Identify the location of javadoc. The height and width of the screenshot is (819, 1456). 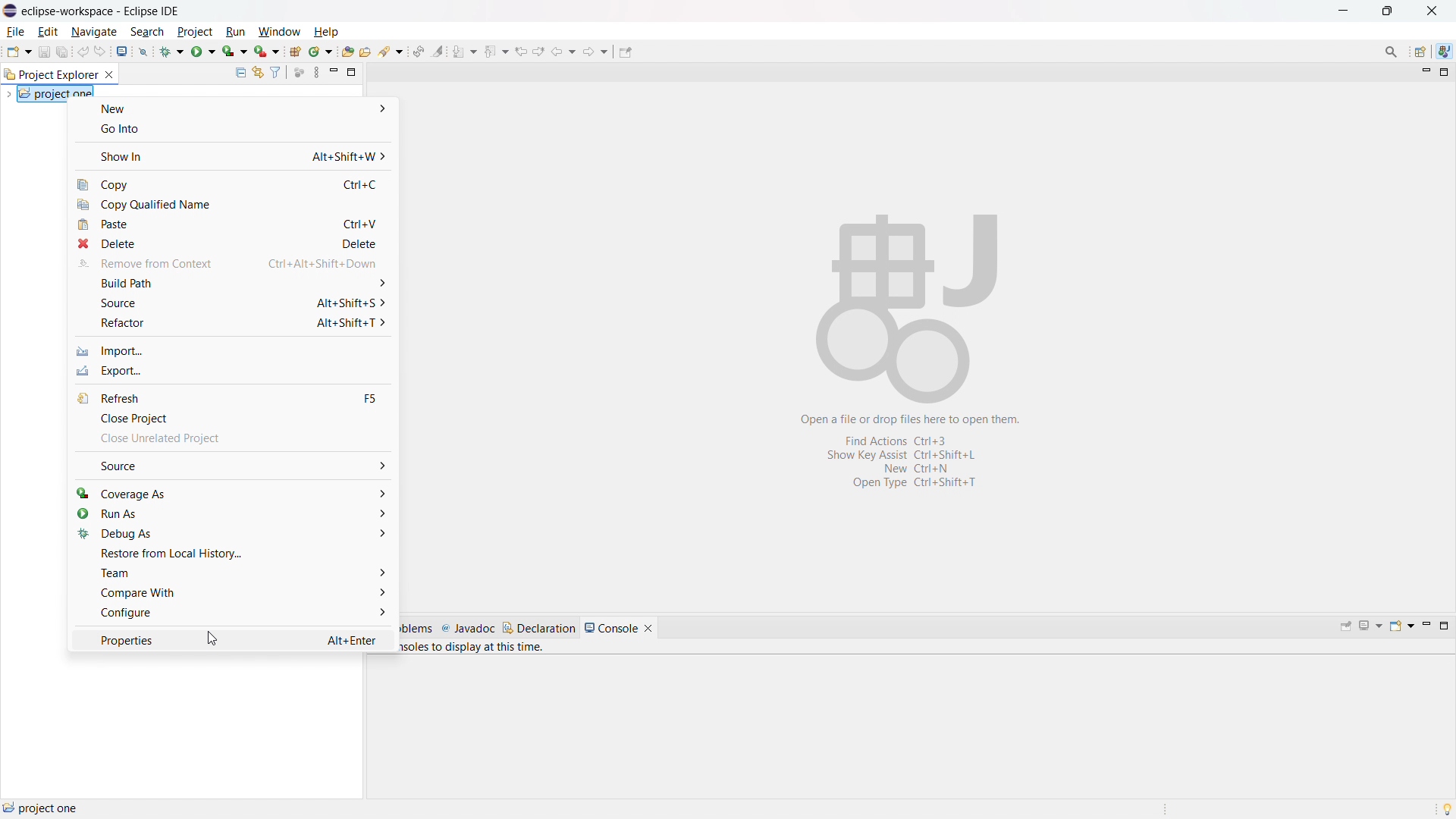
(468, 629).